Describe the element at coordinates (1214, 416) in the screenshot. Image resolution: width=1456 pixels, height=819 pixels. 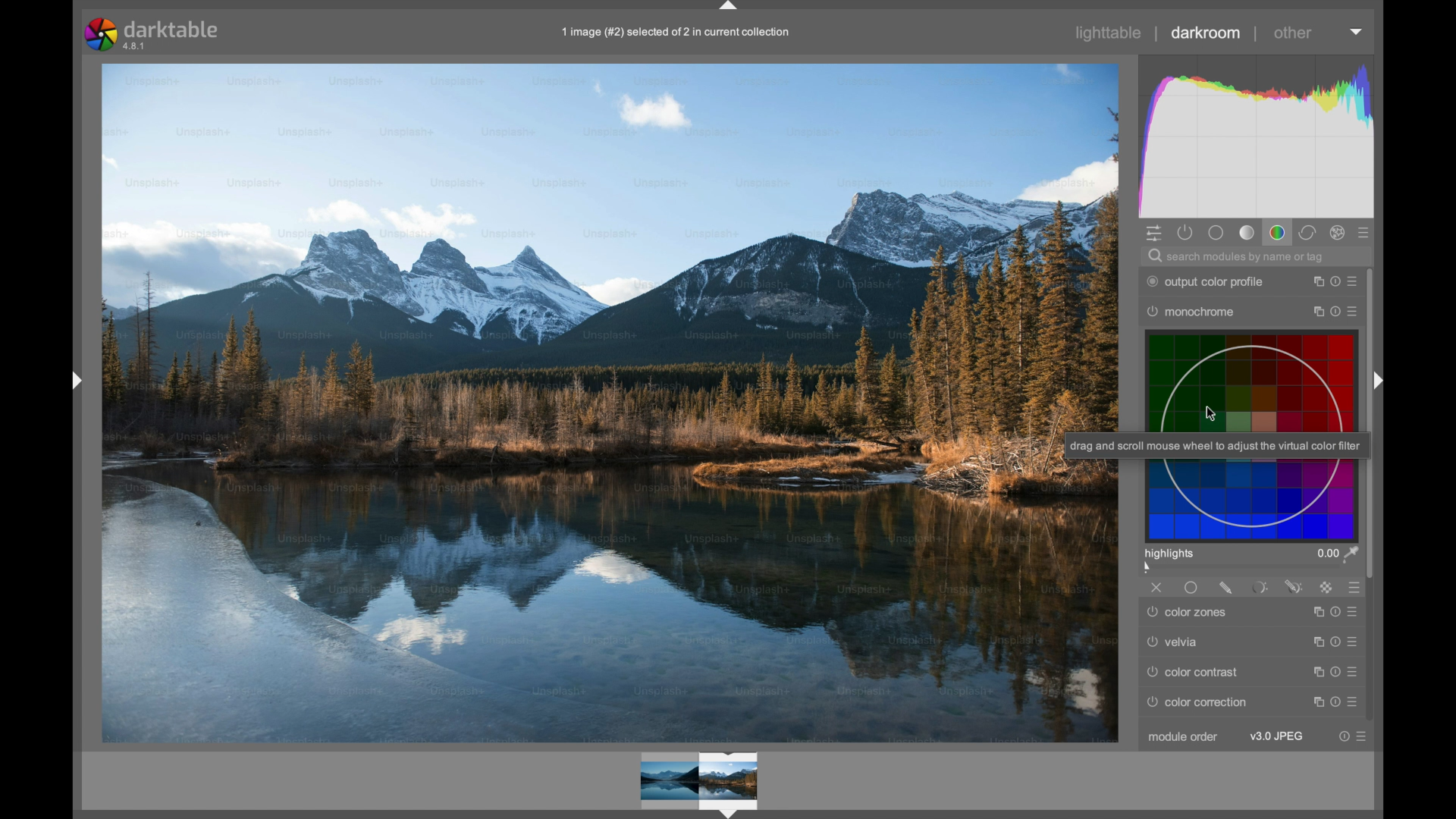
I see `Cursor` at that location.